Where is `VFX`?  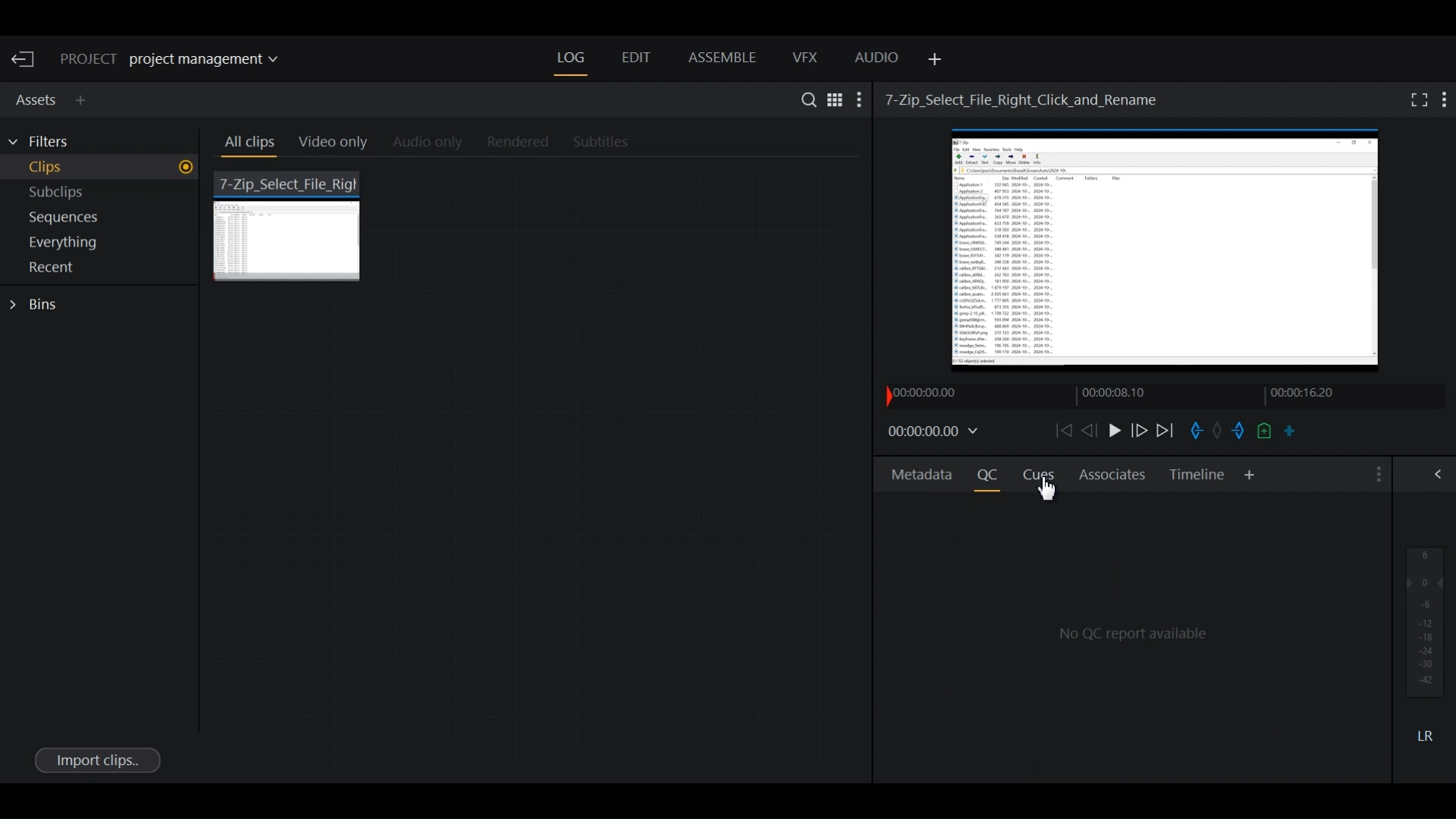 VFX is located at coordinates (806, 58).